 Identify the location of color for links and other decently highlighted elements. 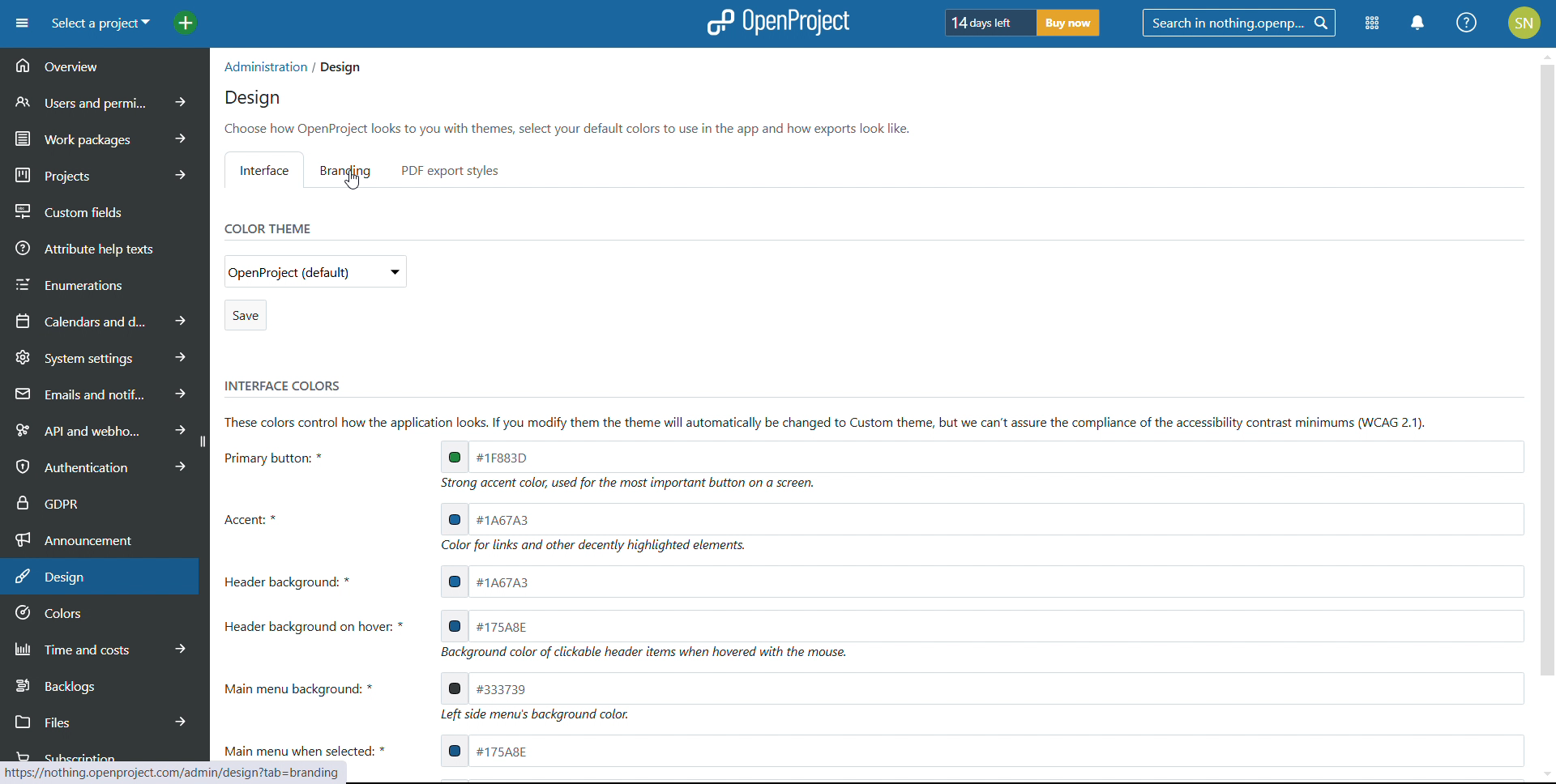
(598, 548).